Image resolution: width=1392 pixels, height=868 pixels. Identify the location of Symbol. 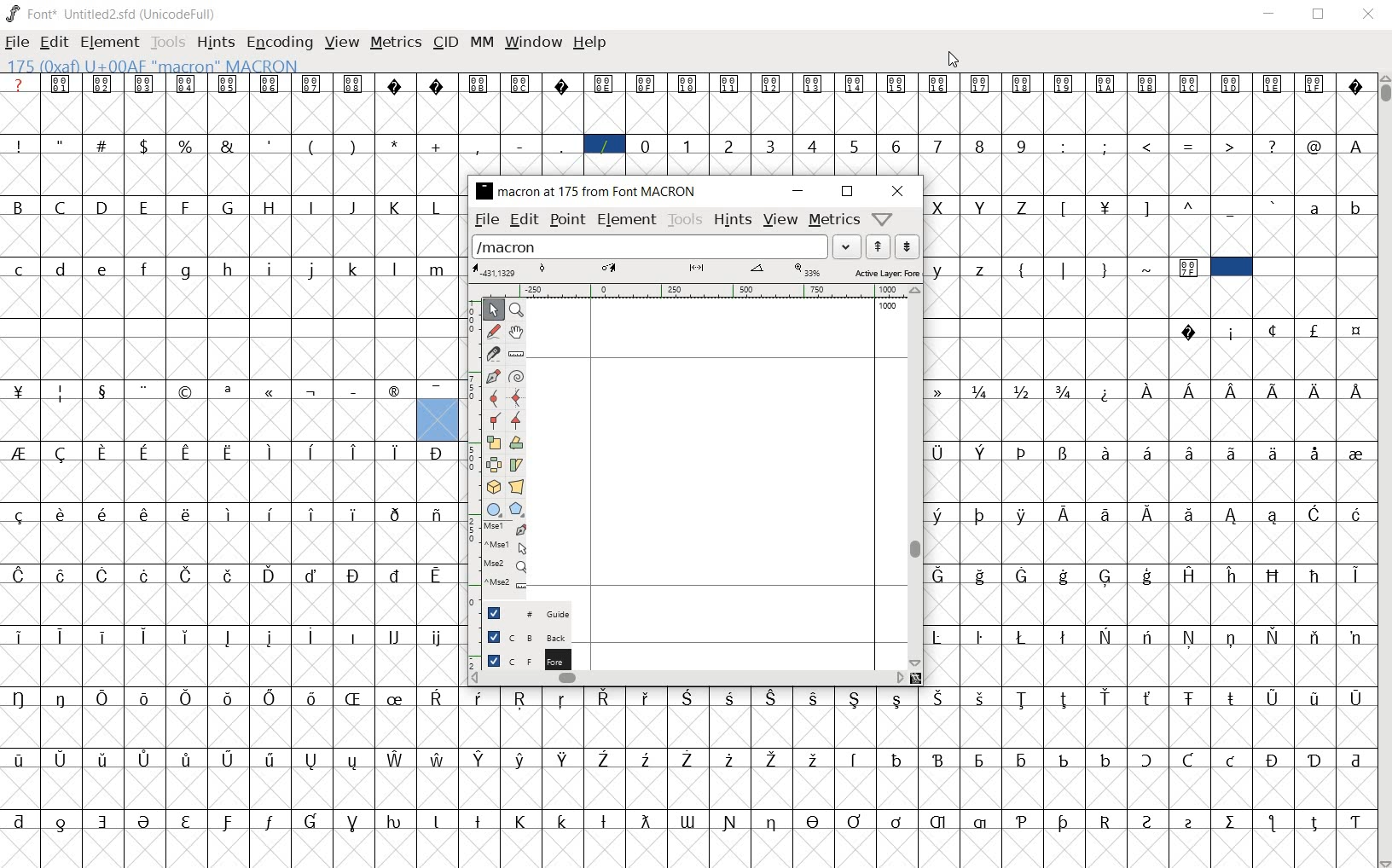
(190, 820).